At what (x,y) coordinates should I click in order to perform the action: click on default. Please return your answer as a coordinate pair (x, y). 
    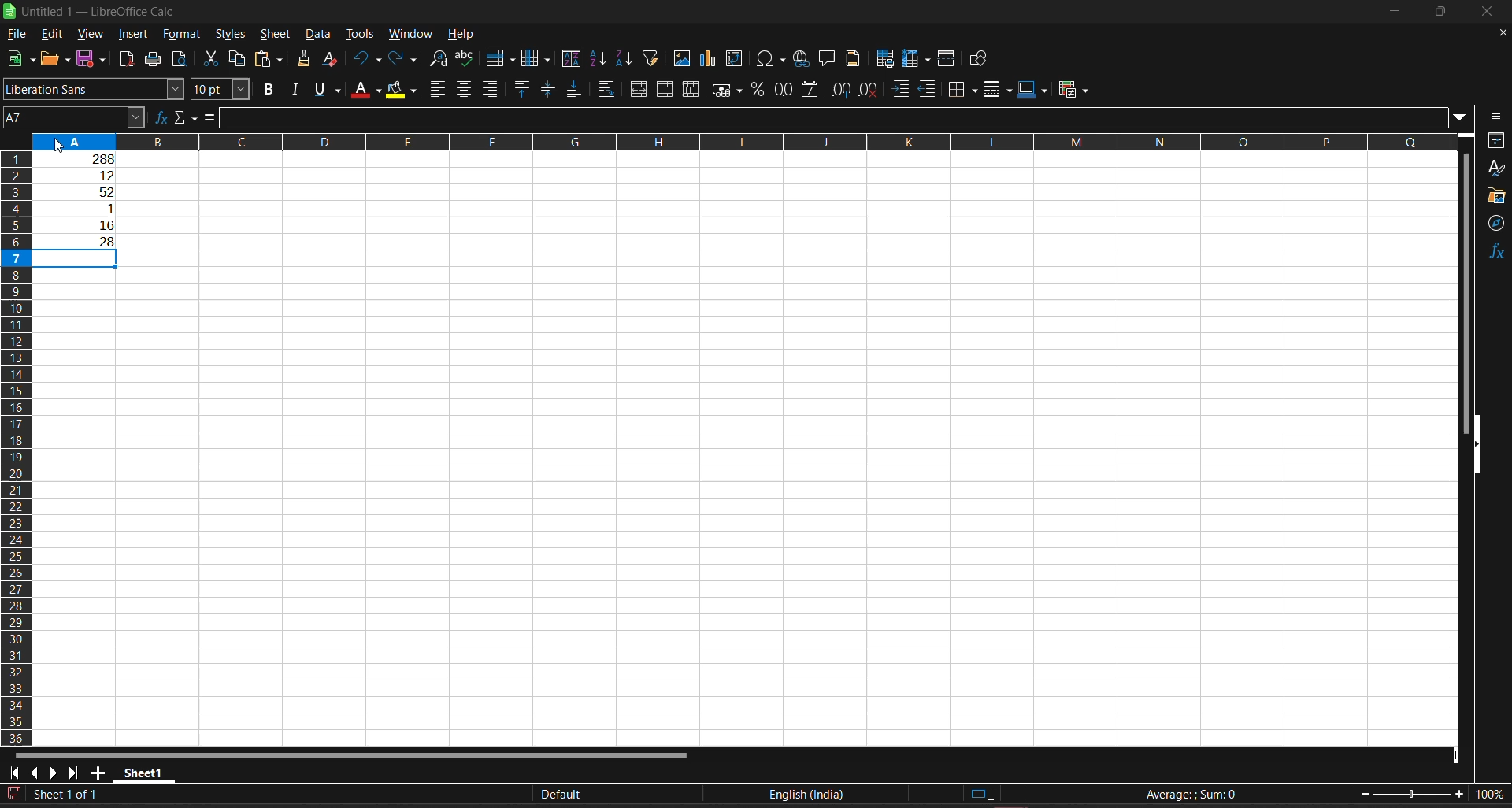
    Looking at the image, I should click on (564, 796).